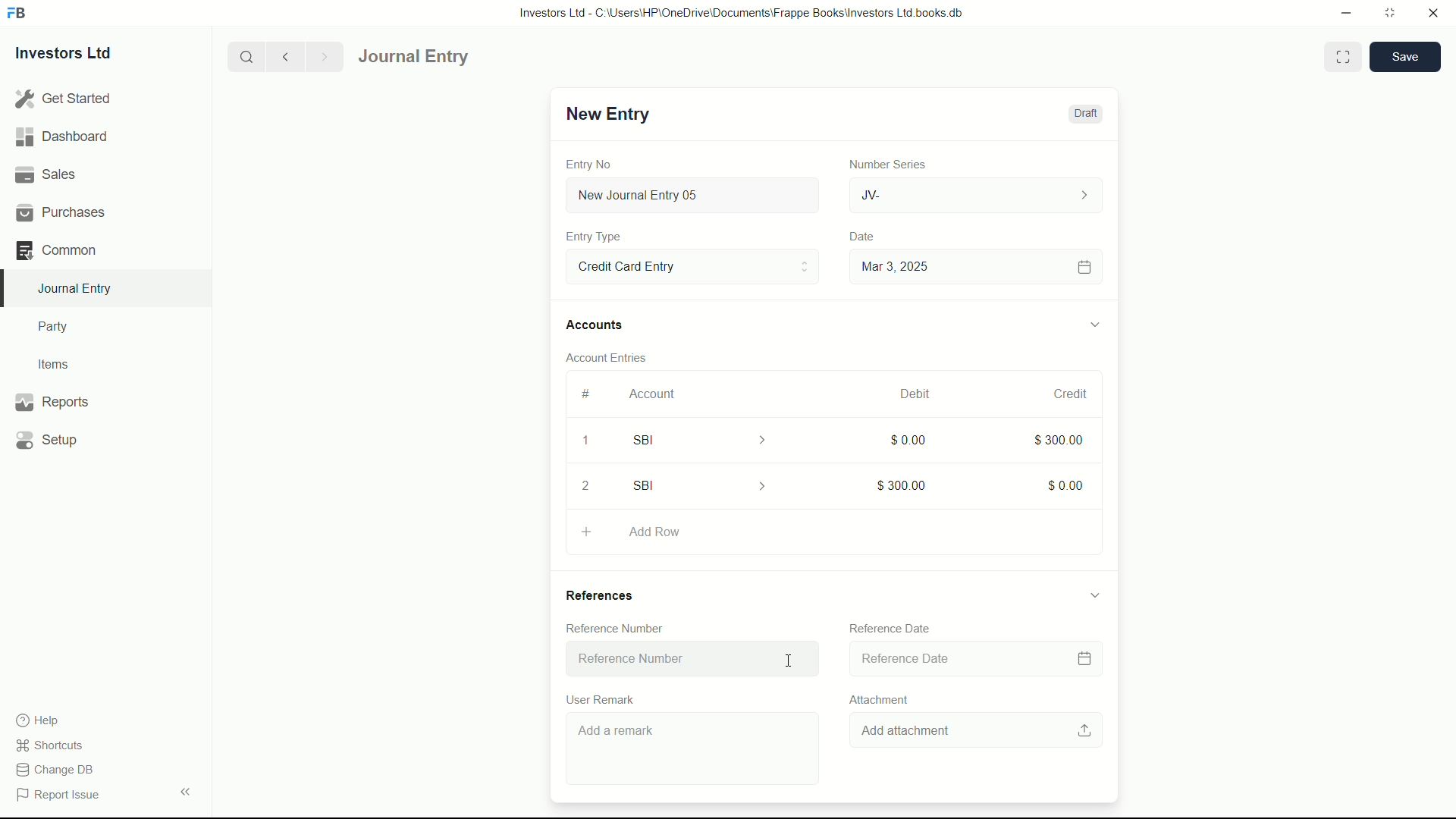  I want to click on Accounts, so click(598, 325).